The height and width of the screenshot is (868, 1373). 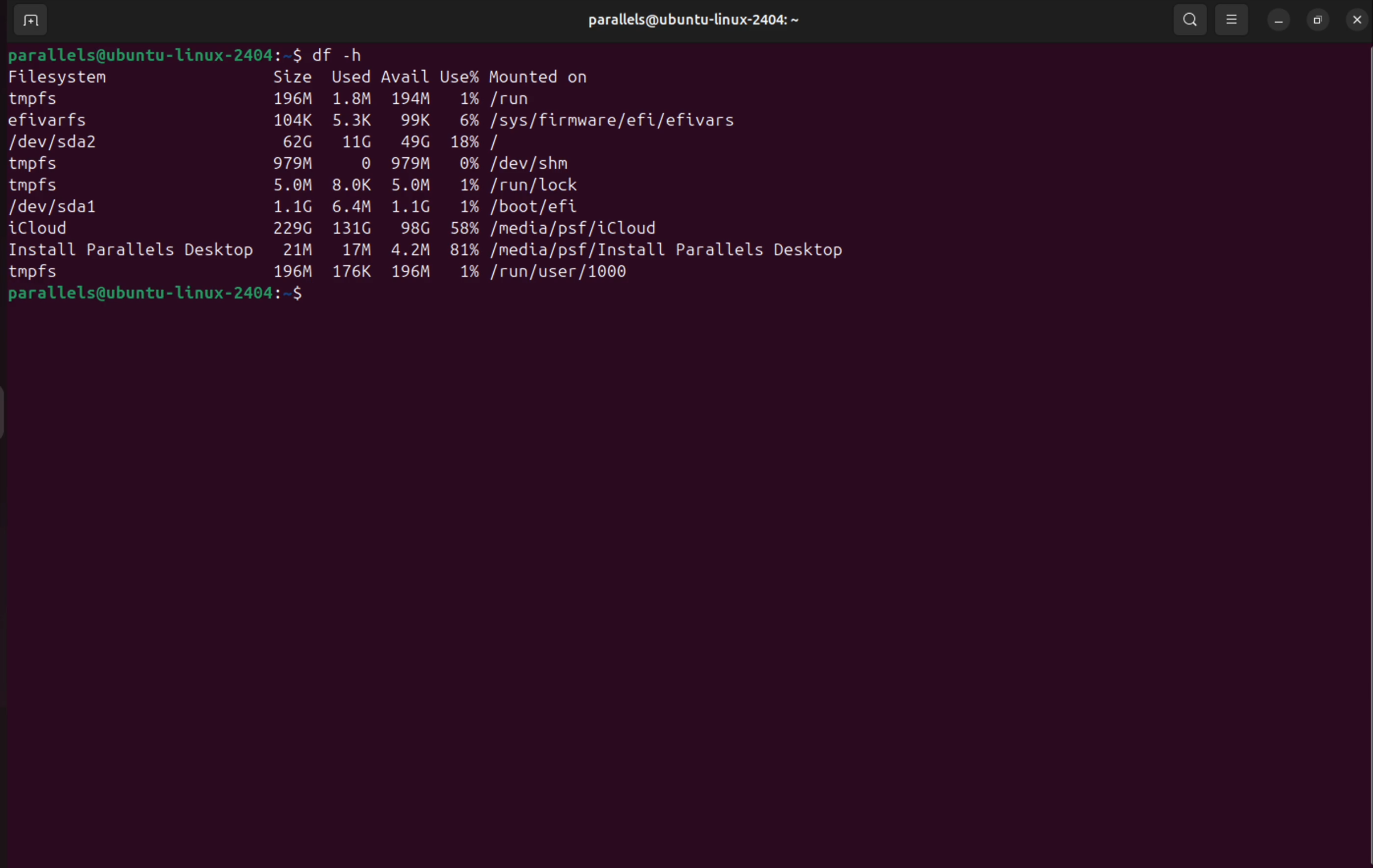 What do you see at coordinates (295, 76) in the screenshot?
I see `size` at bounding box center [295, 76].